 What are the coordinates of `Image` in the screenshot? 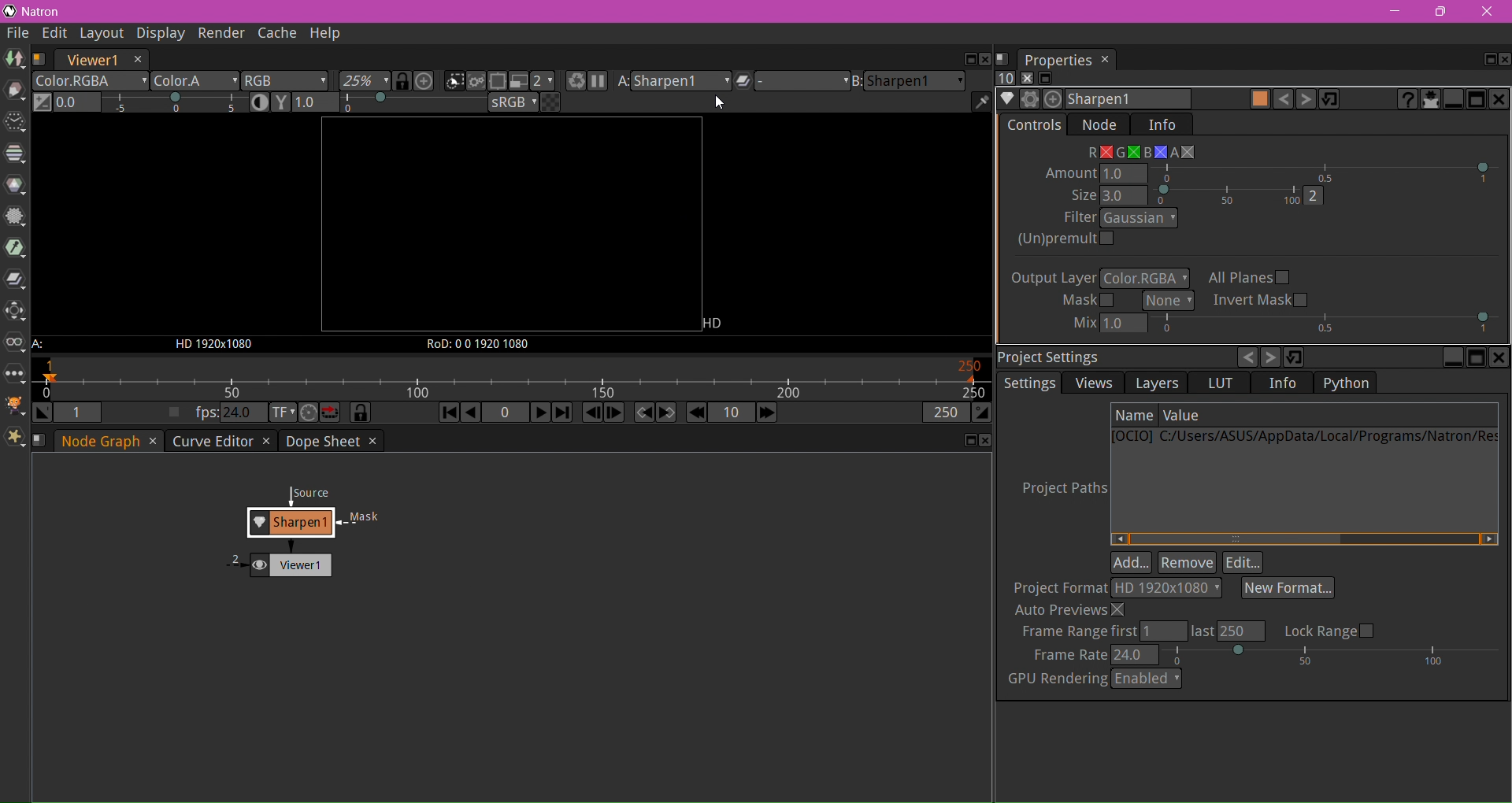 It's located at (14, 60).